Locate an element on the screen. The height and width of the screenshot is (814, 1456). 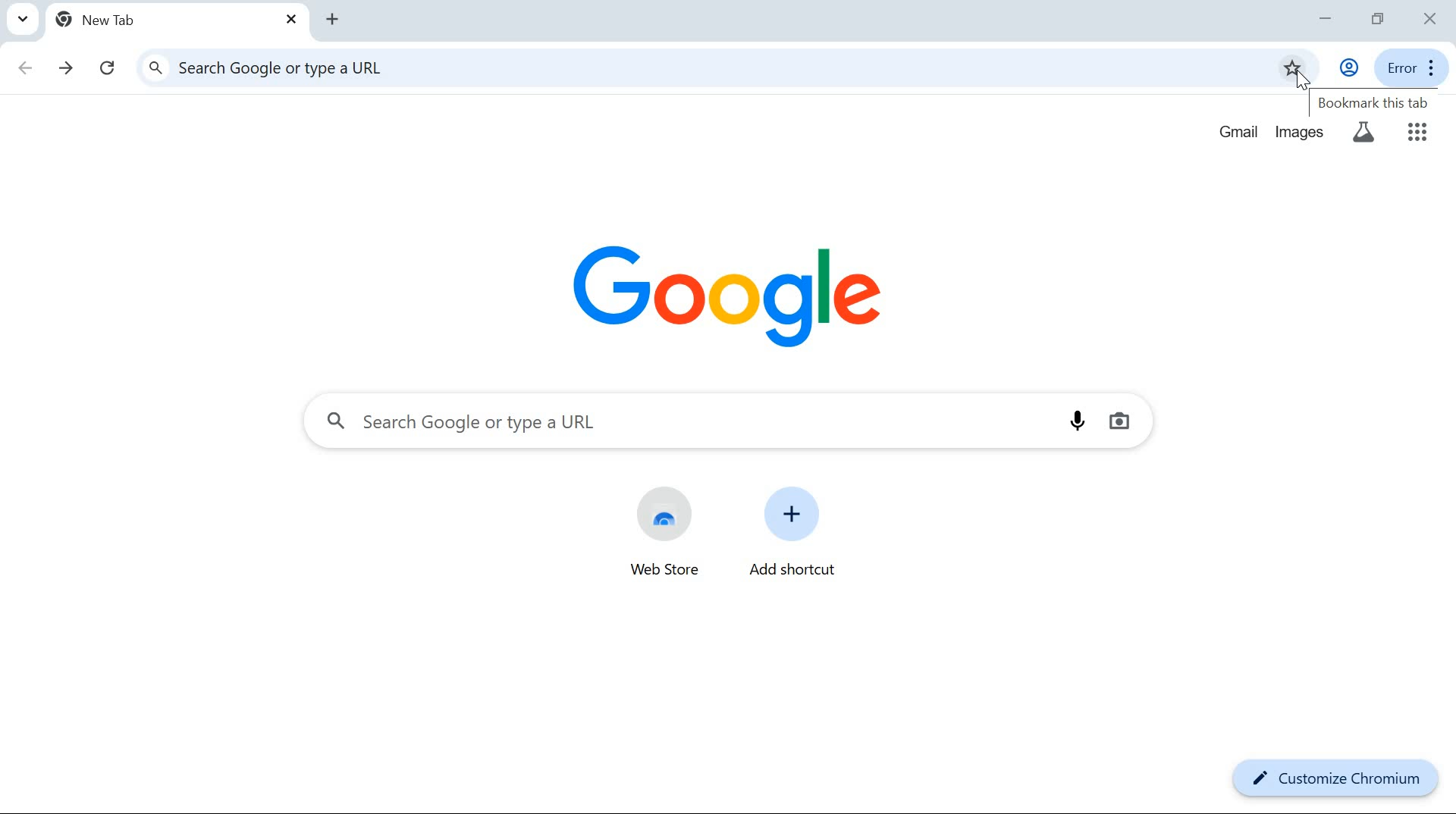
refresh is located at coordinates (111, 68).